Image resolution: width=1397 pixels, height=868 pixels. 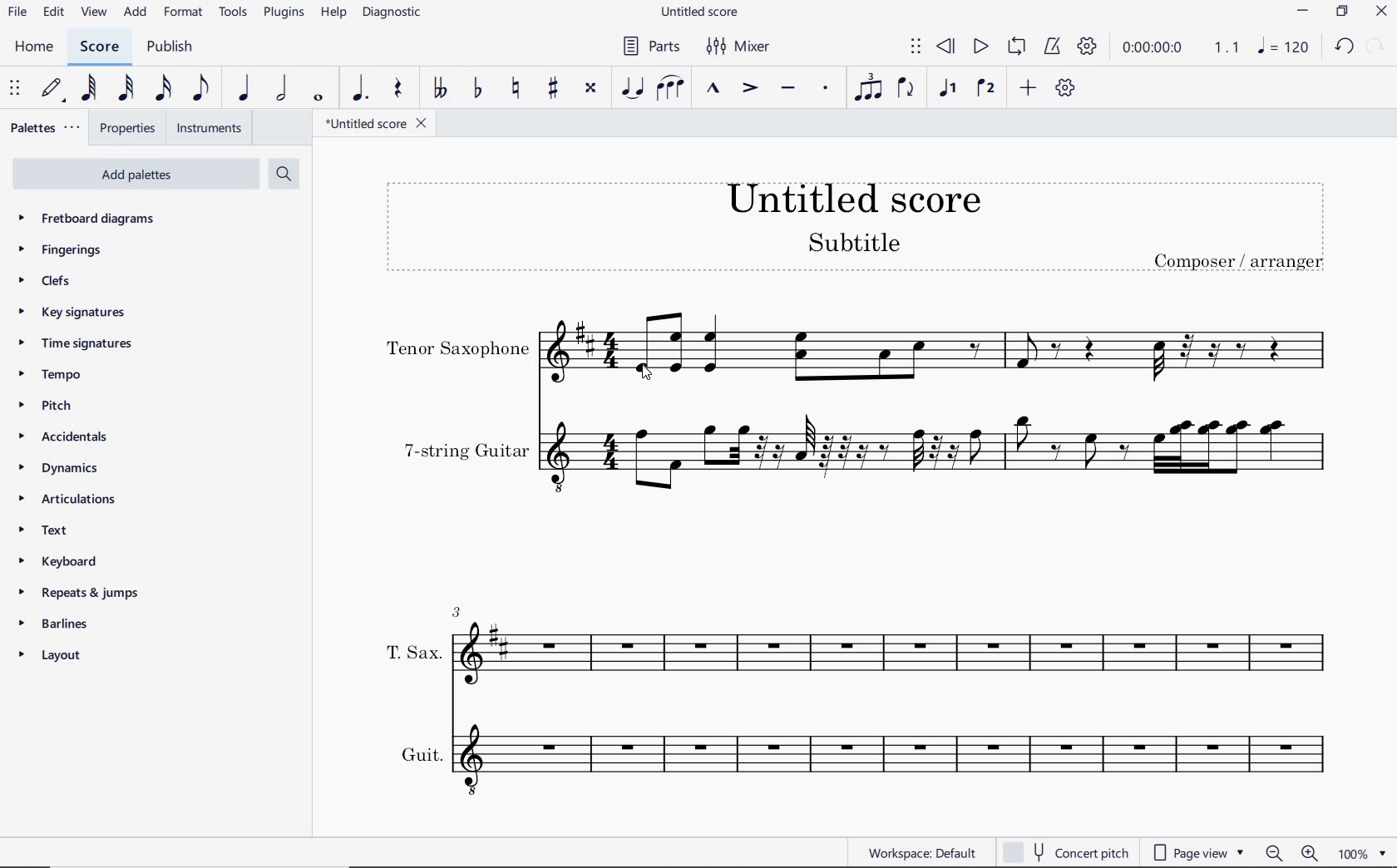 I want to click on ADD, so click(x=1028, y=90).